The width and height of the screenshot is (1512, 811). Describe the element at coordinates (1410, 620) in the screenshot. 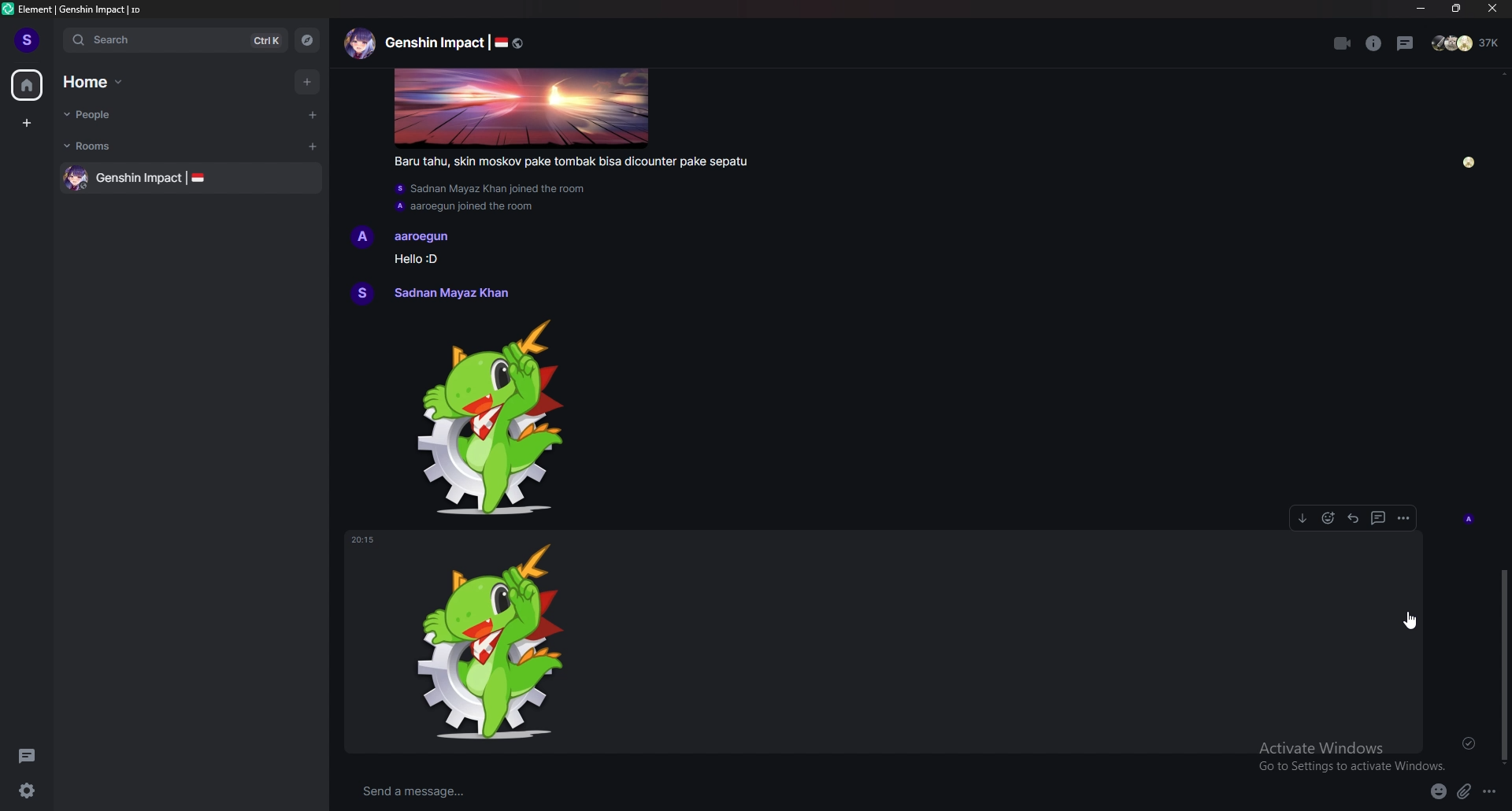

I see `cursor` at that location.